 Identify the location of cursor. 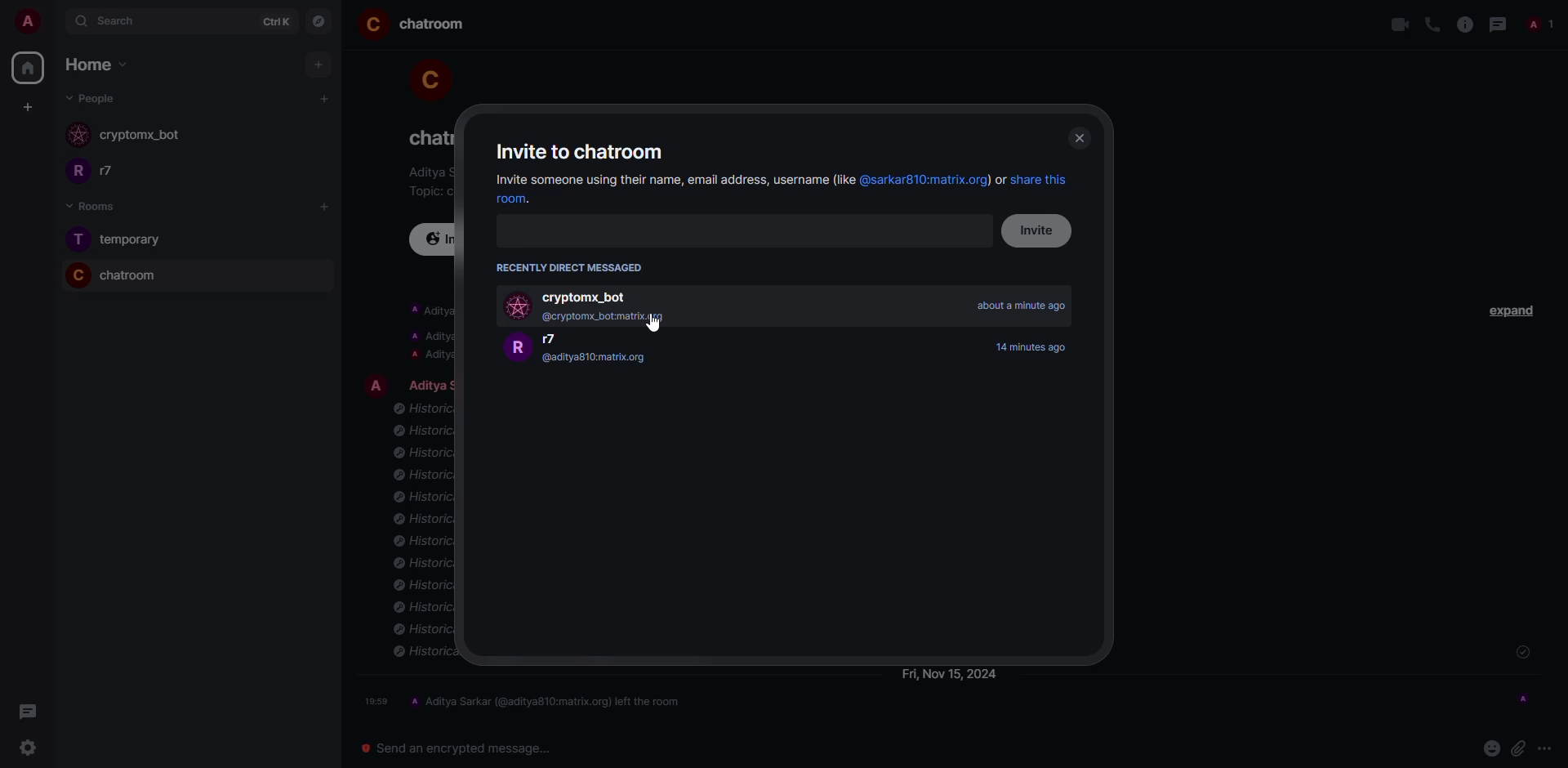
(653, 322).